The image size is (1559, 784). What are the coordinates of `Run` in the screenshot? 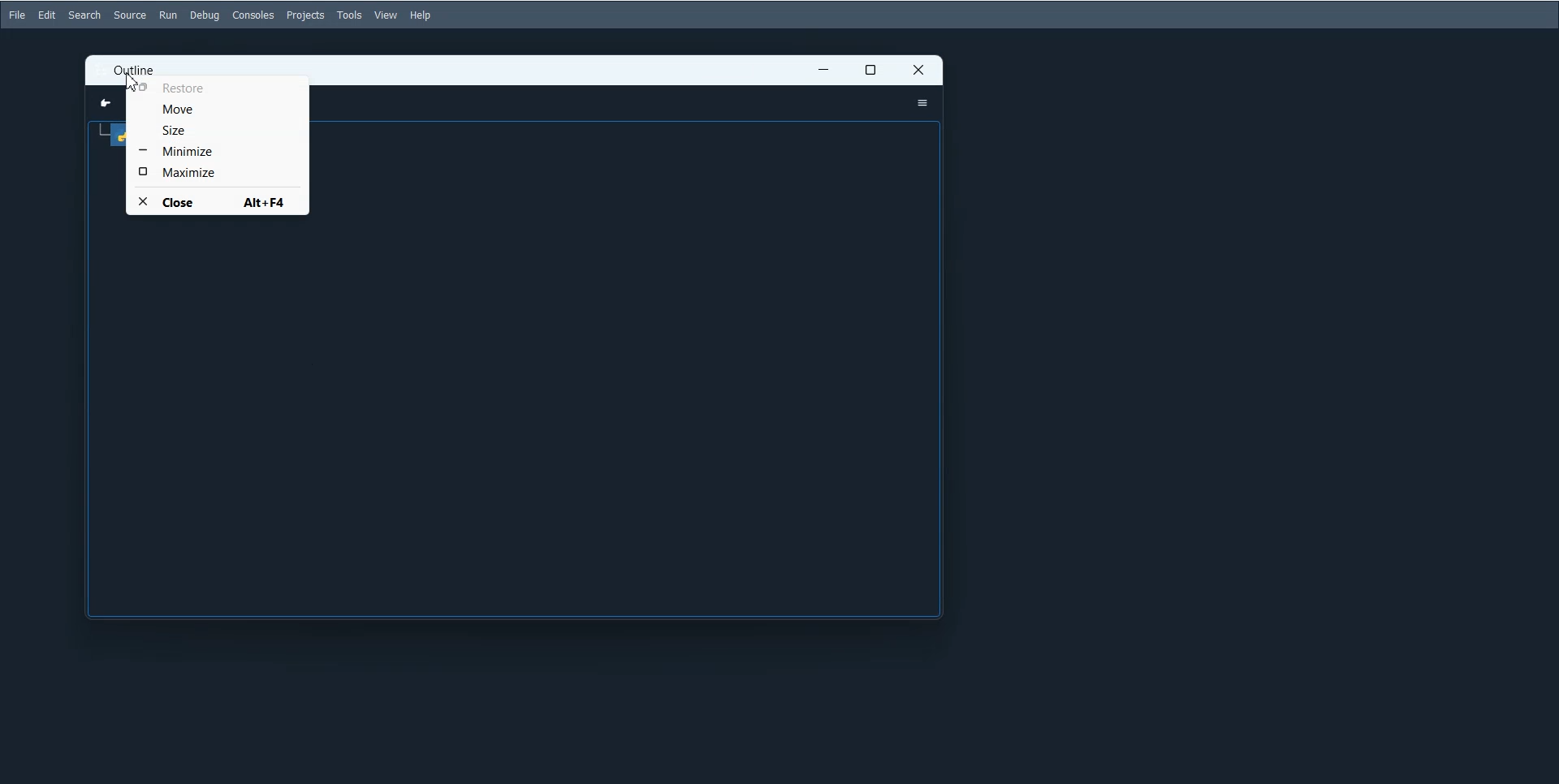 It's located at (167, 15).